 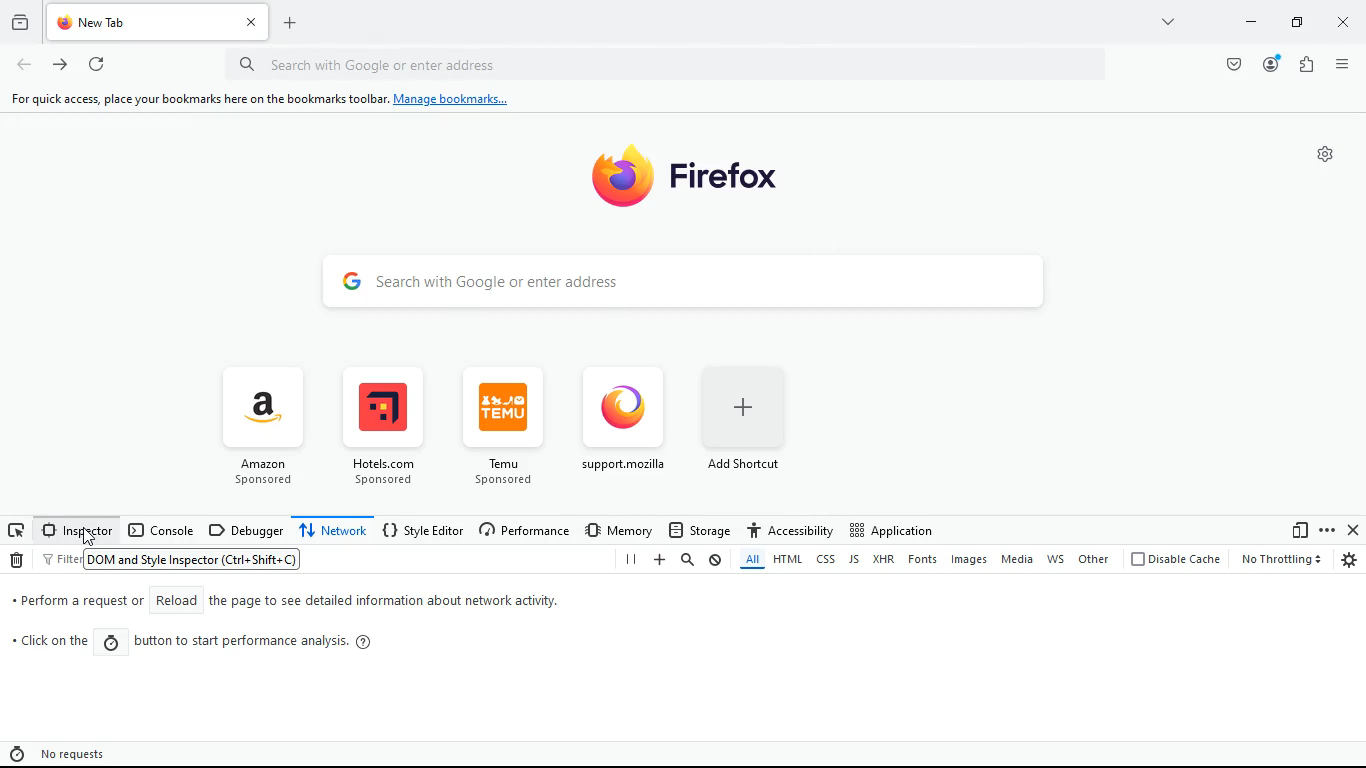 What do you see at coordinates (890, 529) in the screenshot?
I see `application` at bounding box center [890, 529].